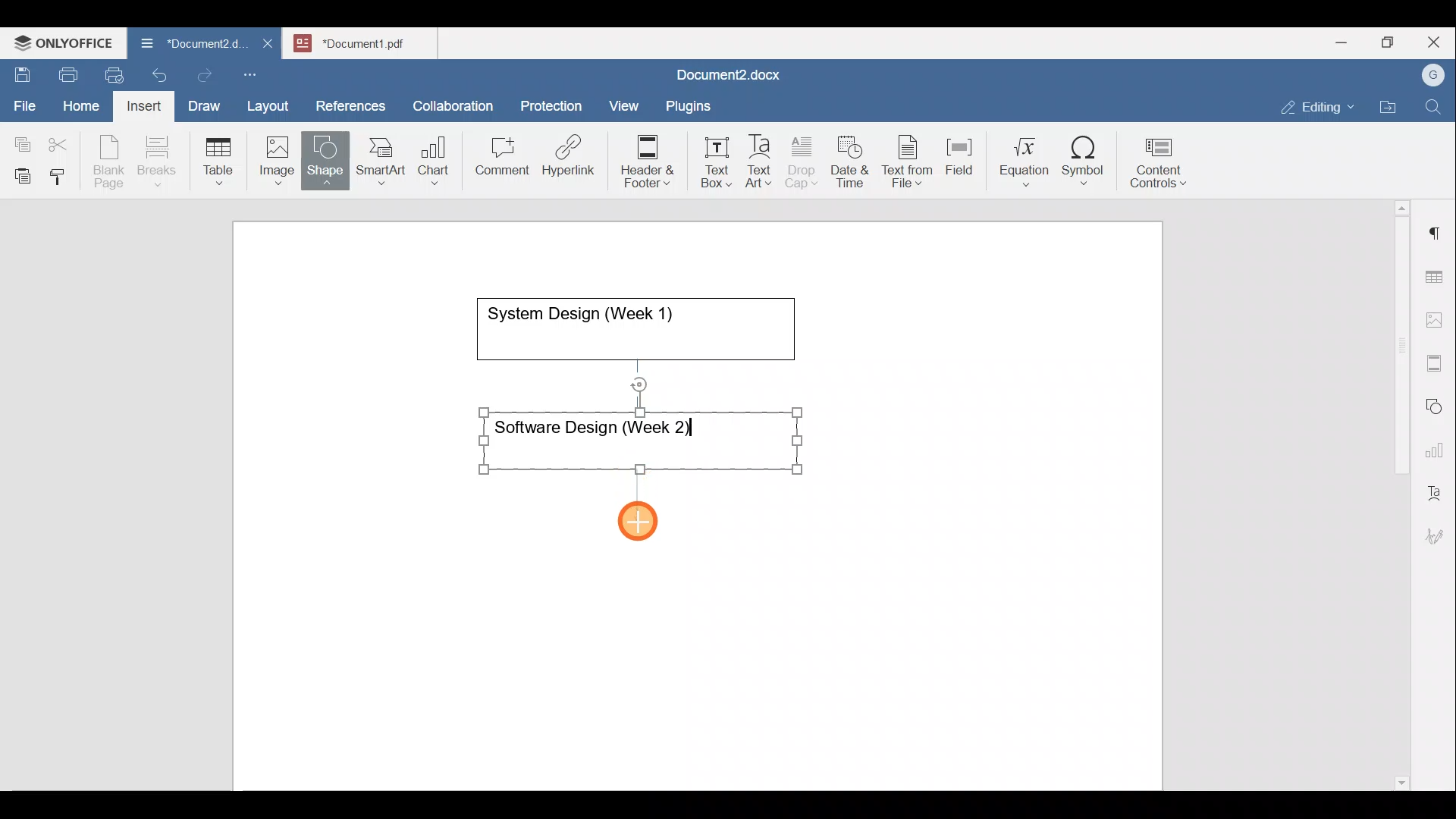 The height and width of the screenshot is (819, 1456). What do you see at coordinates (111, 162) in the screenshot?
I see `Blank page` at bounding box center [111, 162].